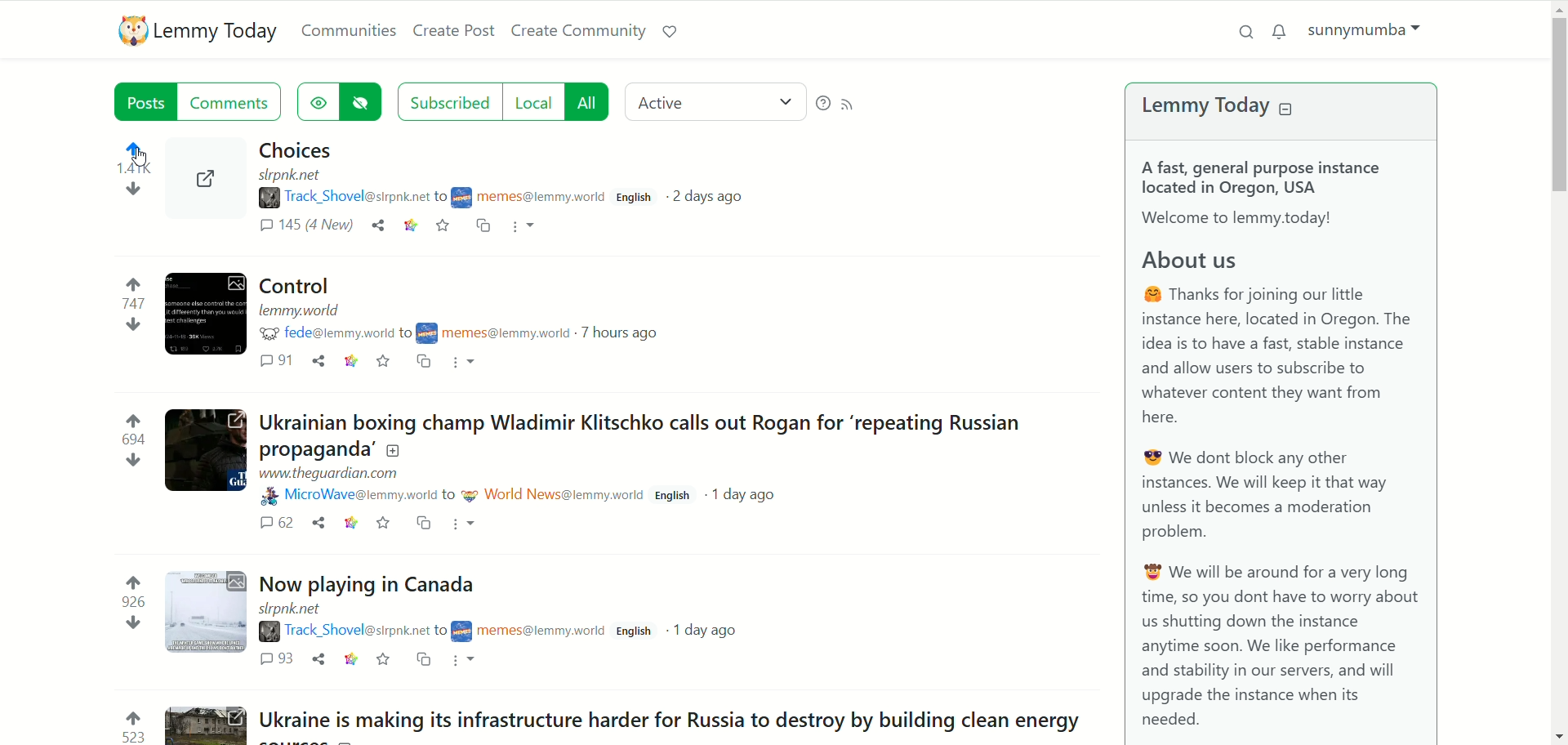 The width and height of the screenshot is (1568, 745). Describe the element at coordinates (205, 314) in the screenshot. I see `Thumbnail` at that location.